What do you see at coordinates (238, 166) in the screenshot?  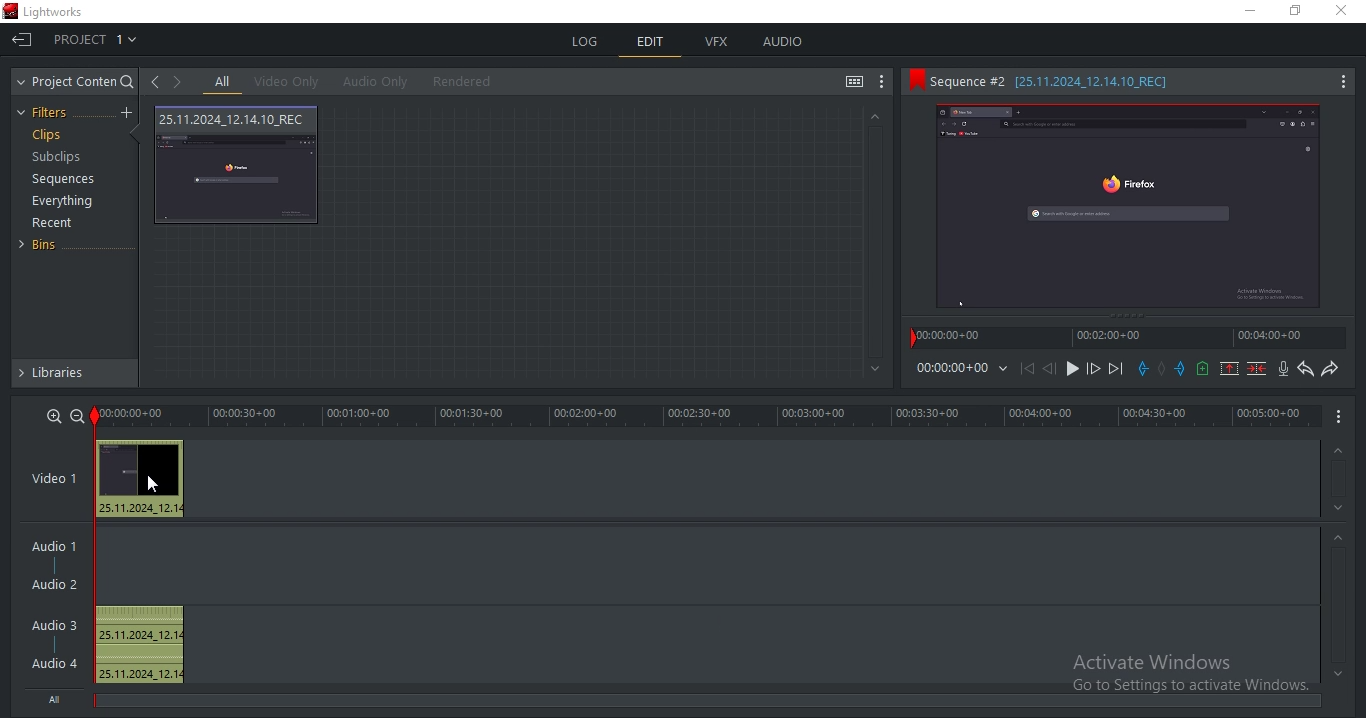 I see `video` at bounding box center [238, 166].